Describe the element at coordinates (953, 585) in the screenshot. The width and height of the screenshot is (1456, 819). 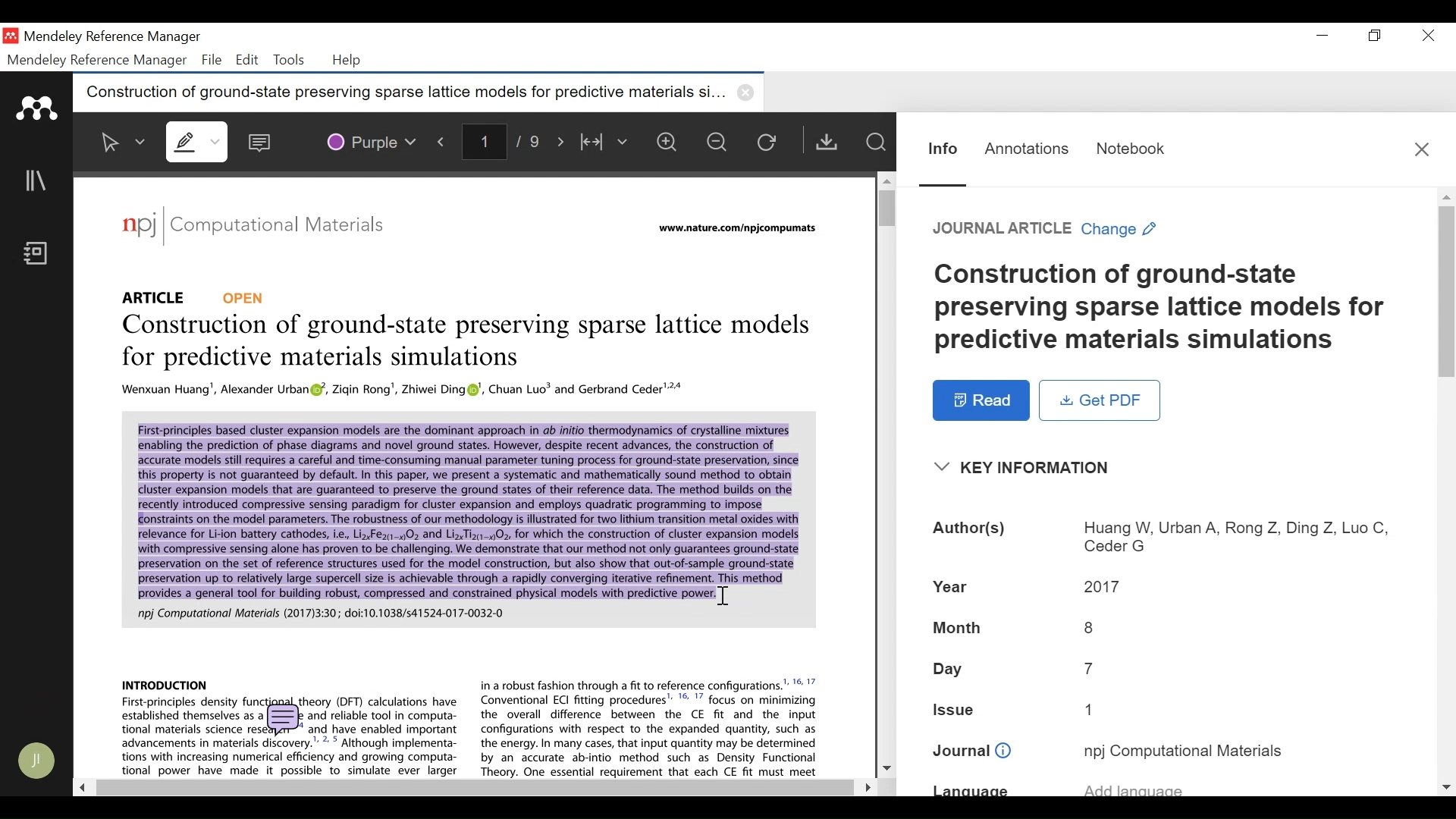
I see `Year` at that location.